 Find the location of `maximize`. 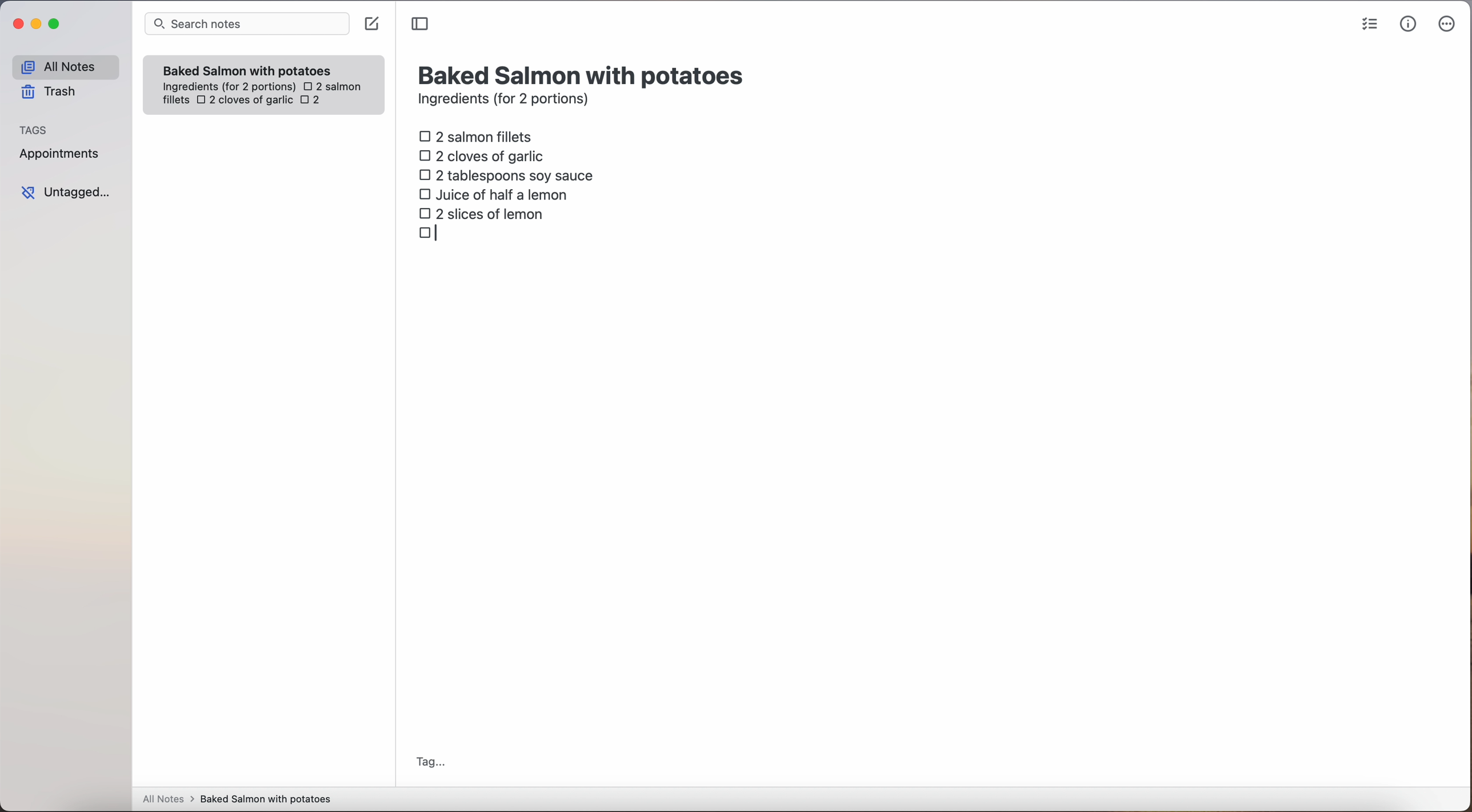

maximize is located at coordinates (56, 23).